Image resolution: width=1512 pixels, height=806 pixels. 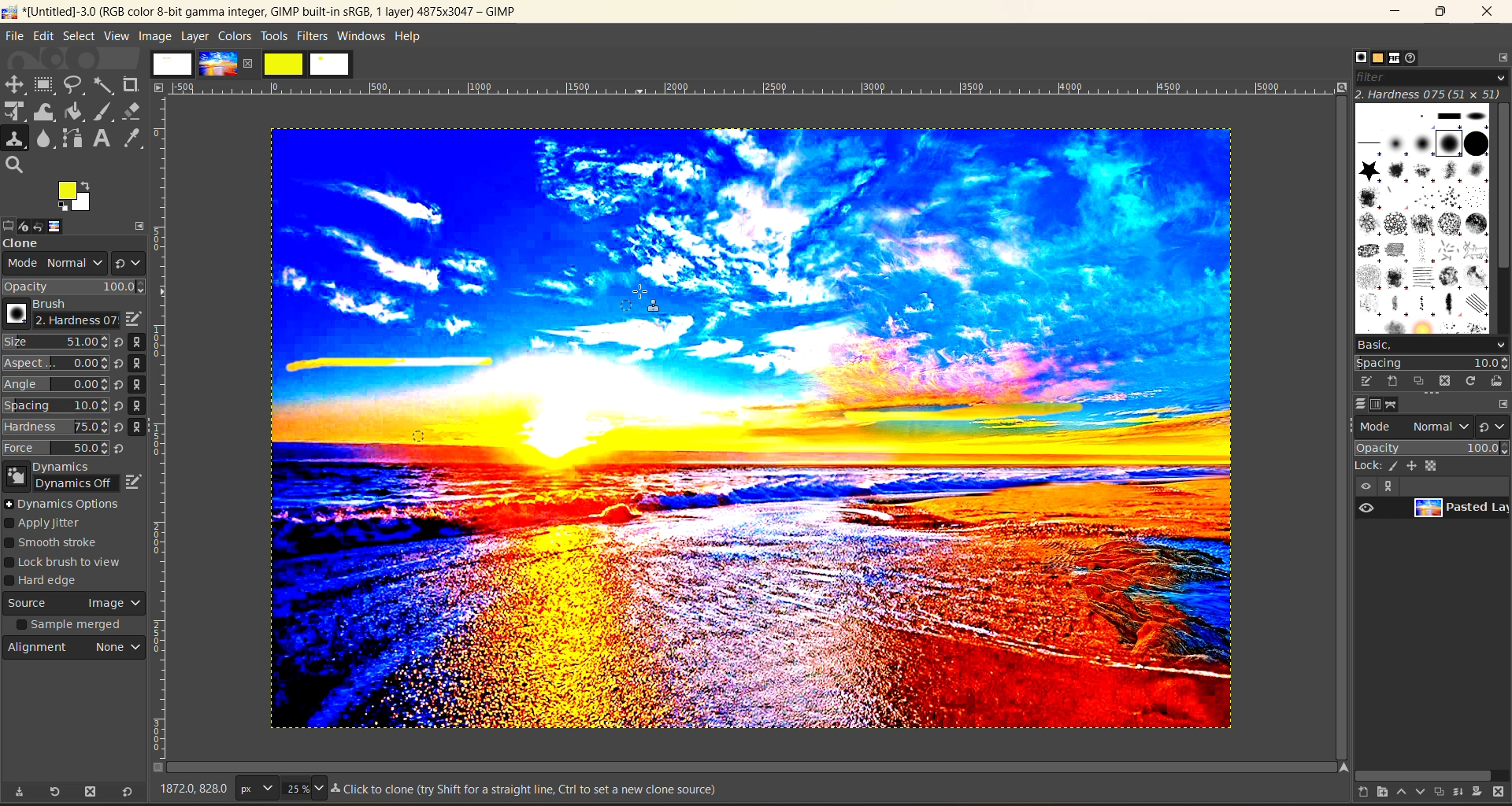 What do you see at coordinates (67, 504) in the screenshot?
I see `dynamics options` at bounding box center [67, 504].